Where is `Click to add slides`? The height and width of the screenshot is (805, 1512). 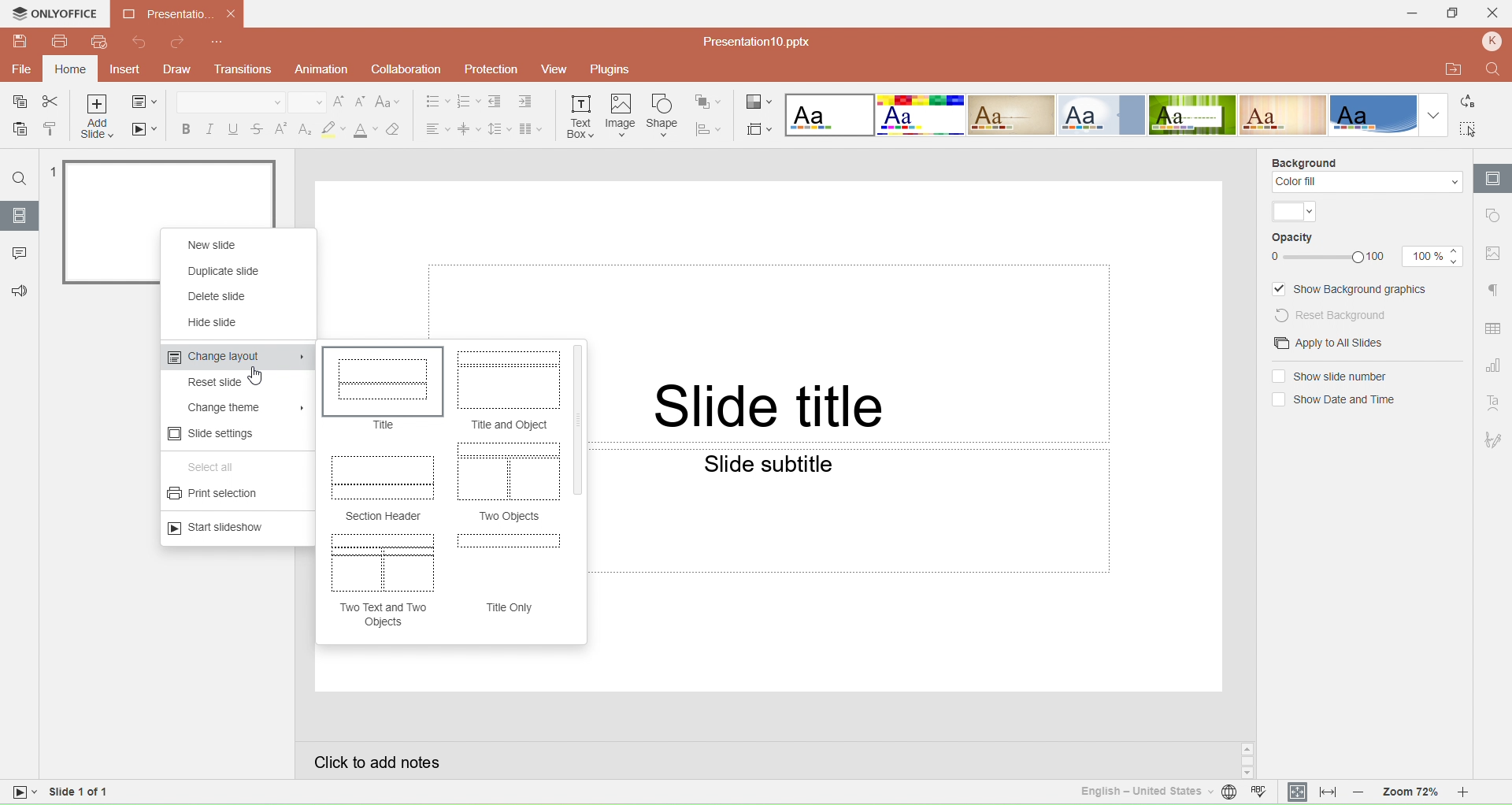 Click to add slides is located at coordinates (763, 759).